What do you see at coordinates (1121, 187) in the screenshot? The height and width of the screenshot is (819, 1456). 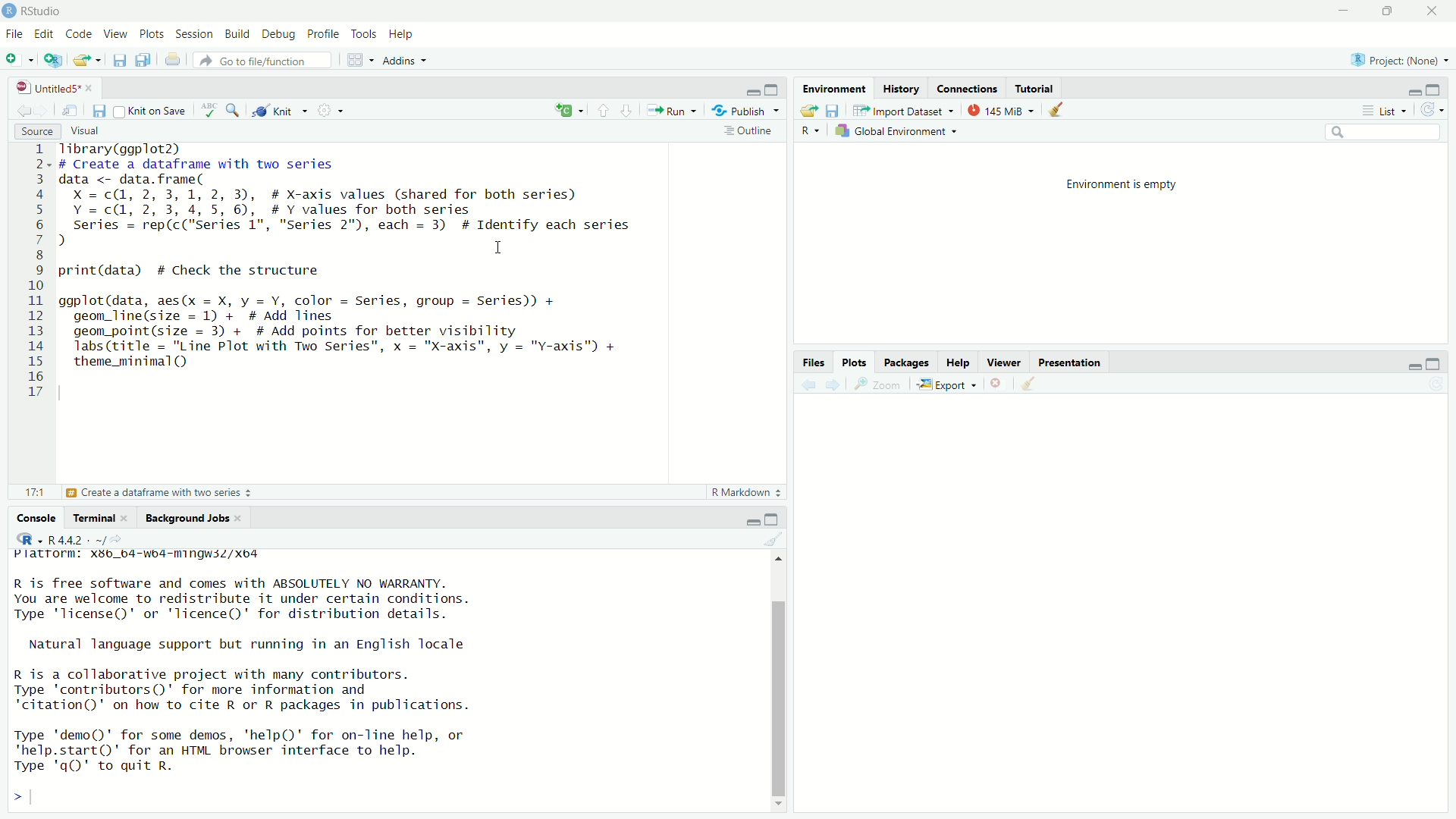 I see `Enviornment is empty` at bounding box center [1121, 187].